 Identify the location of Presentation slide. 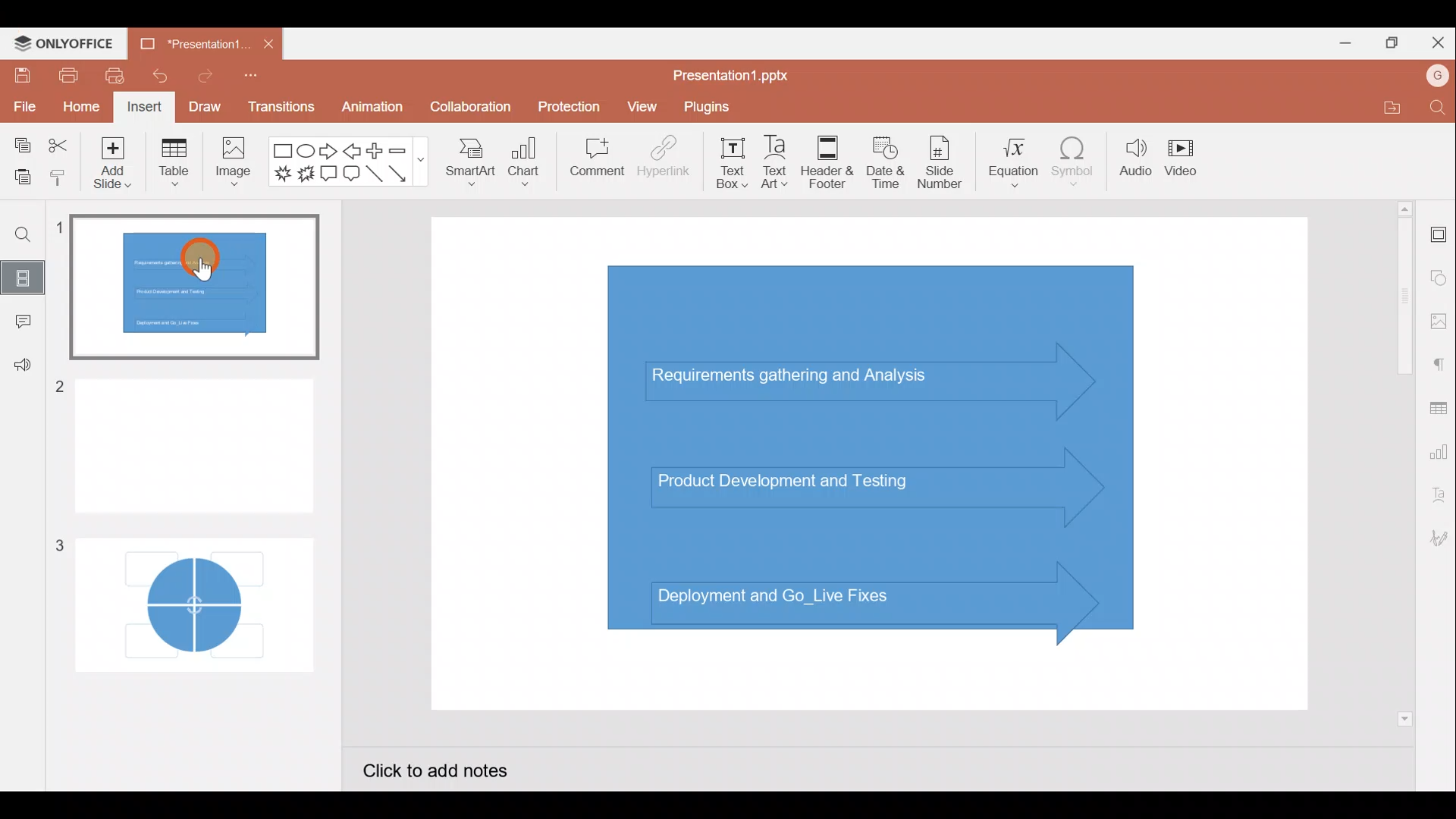
(875, 464).